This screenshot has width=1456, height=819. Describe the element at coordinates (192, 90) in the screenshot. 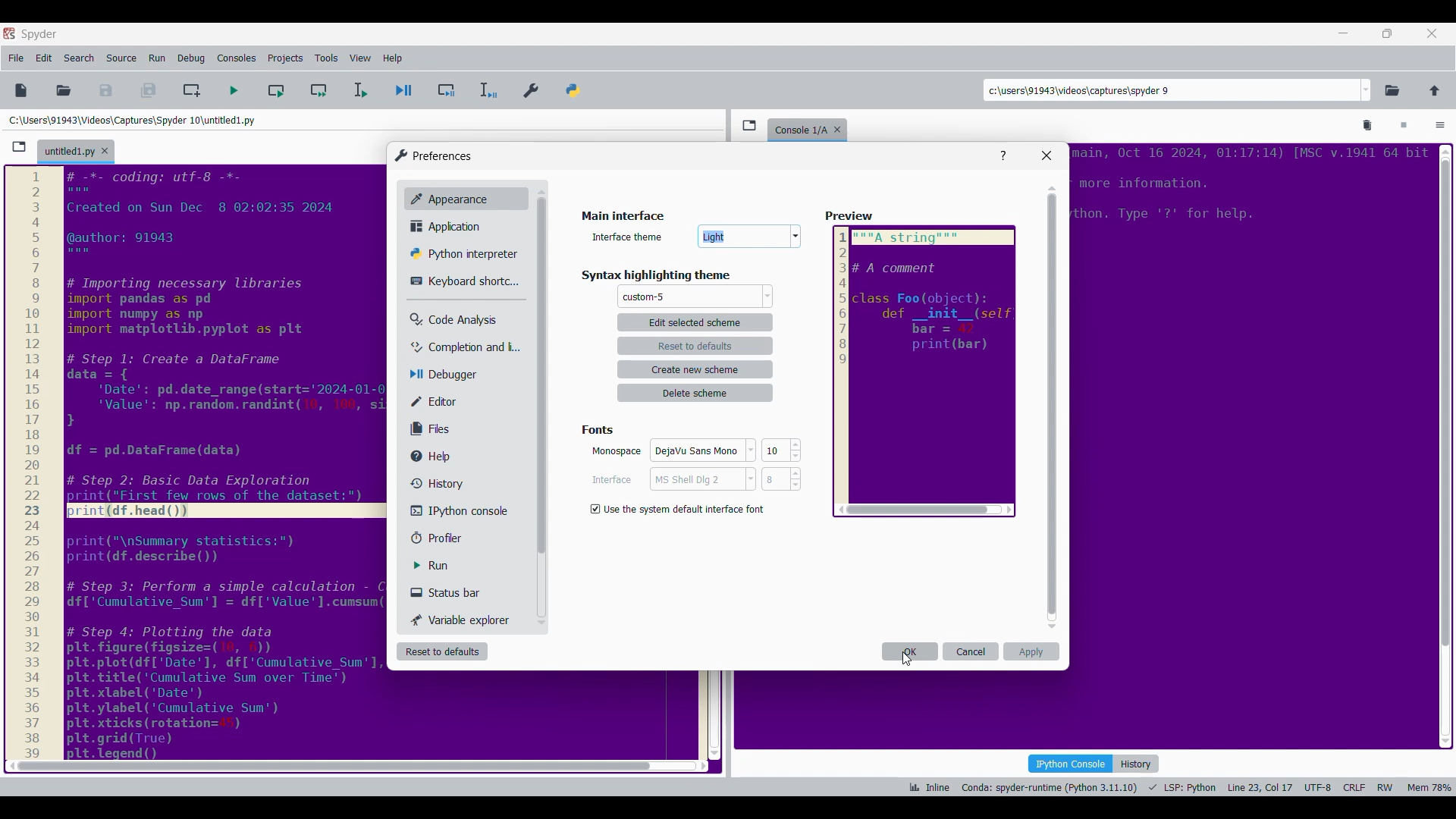

I see `Create new cell at current line` at that location.